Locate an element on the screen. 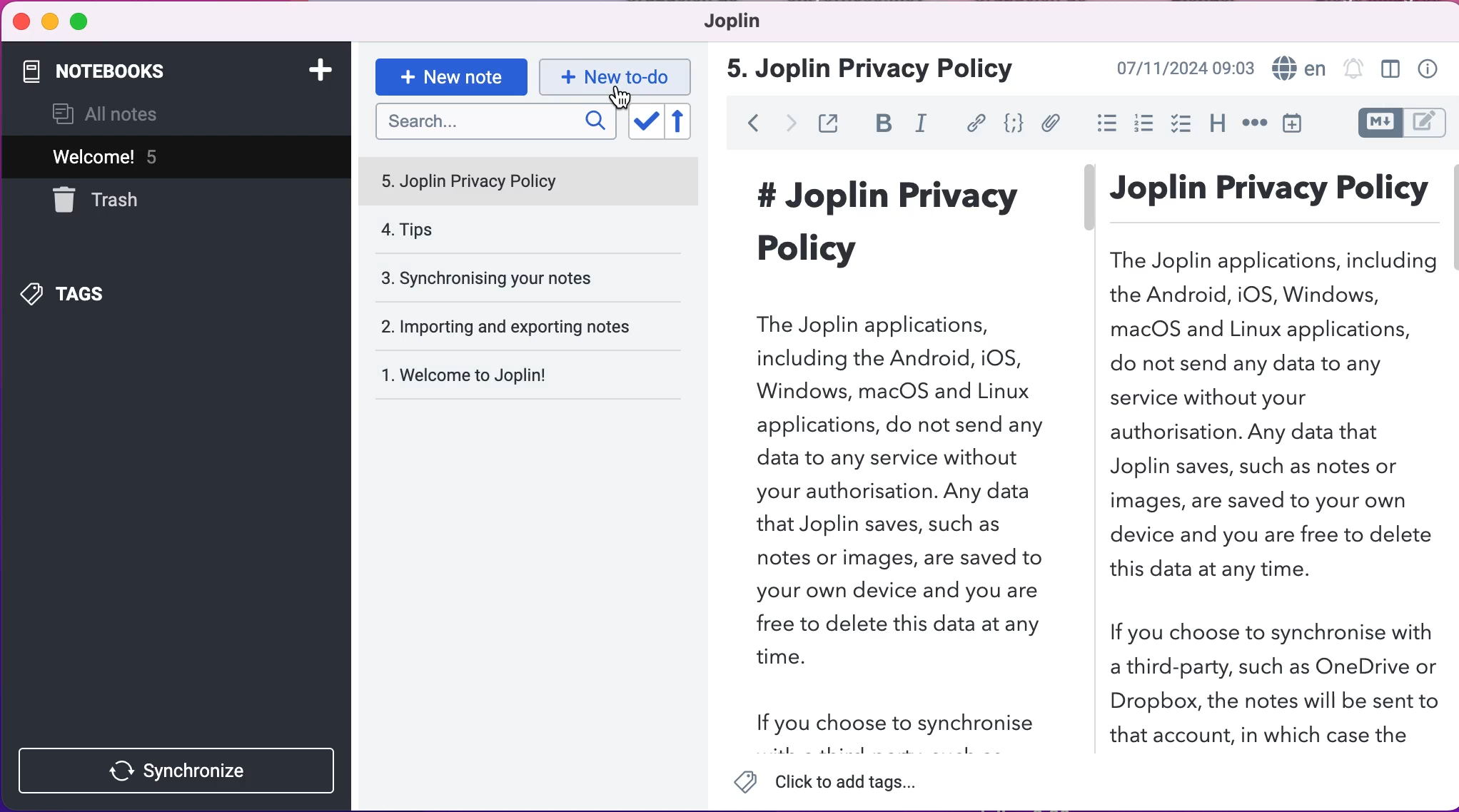 The image size is (1459, 812). click to add tags is located at coordinates (826, 786).